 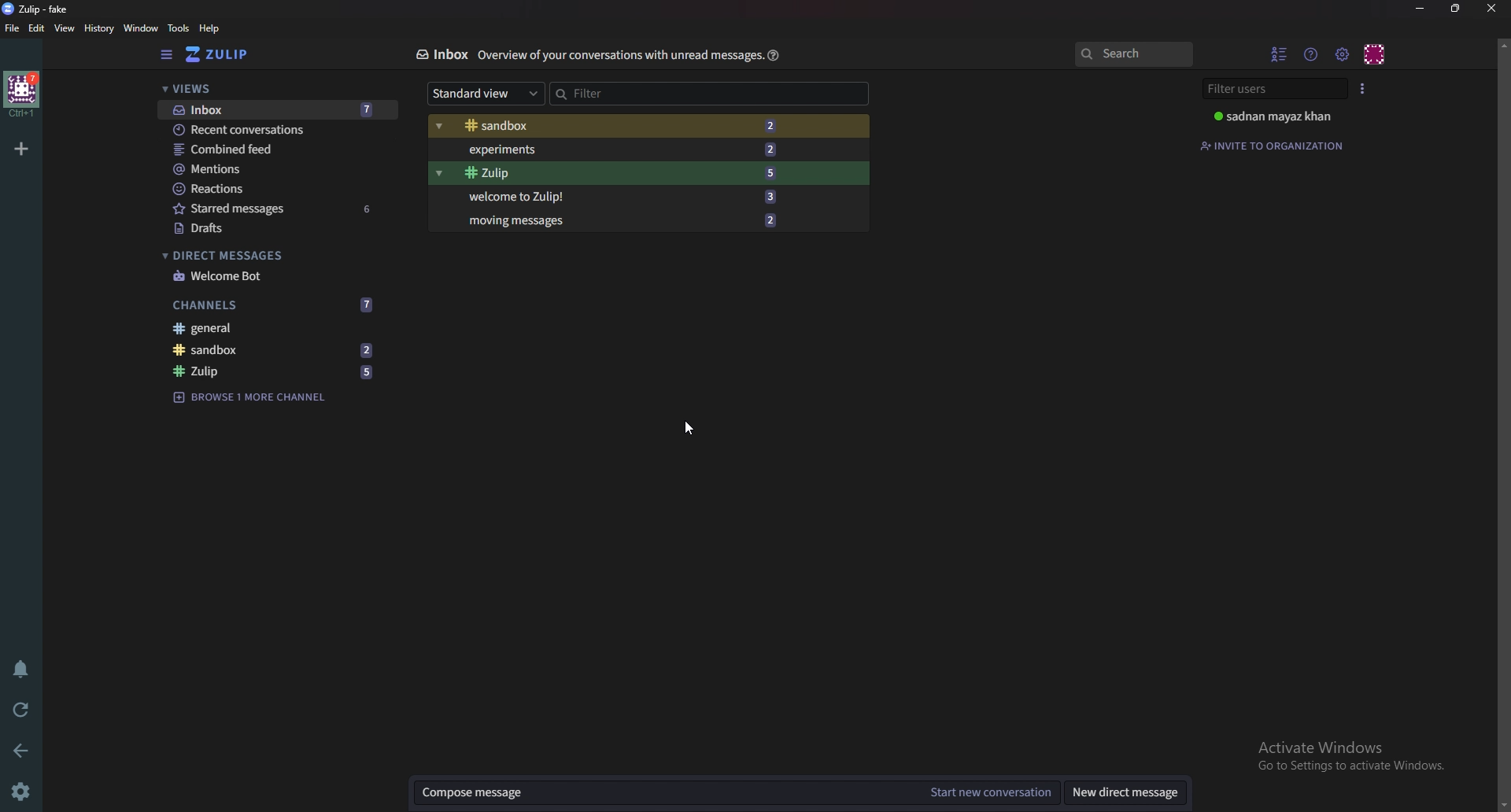 I want to click on Tools, so click(x=179, y=28).